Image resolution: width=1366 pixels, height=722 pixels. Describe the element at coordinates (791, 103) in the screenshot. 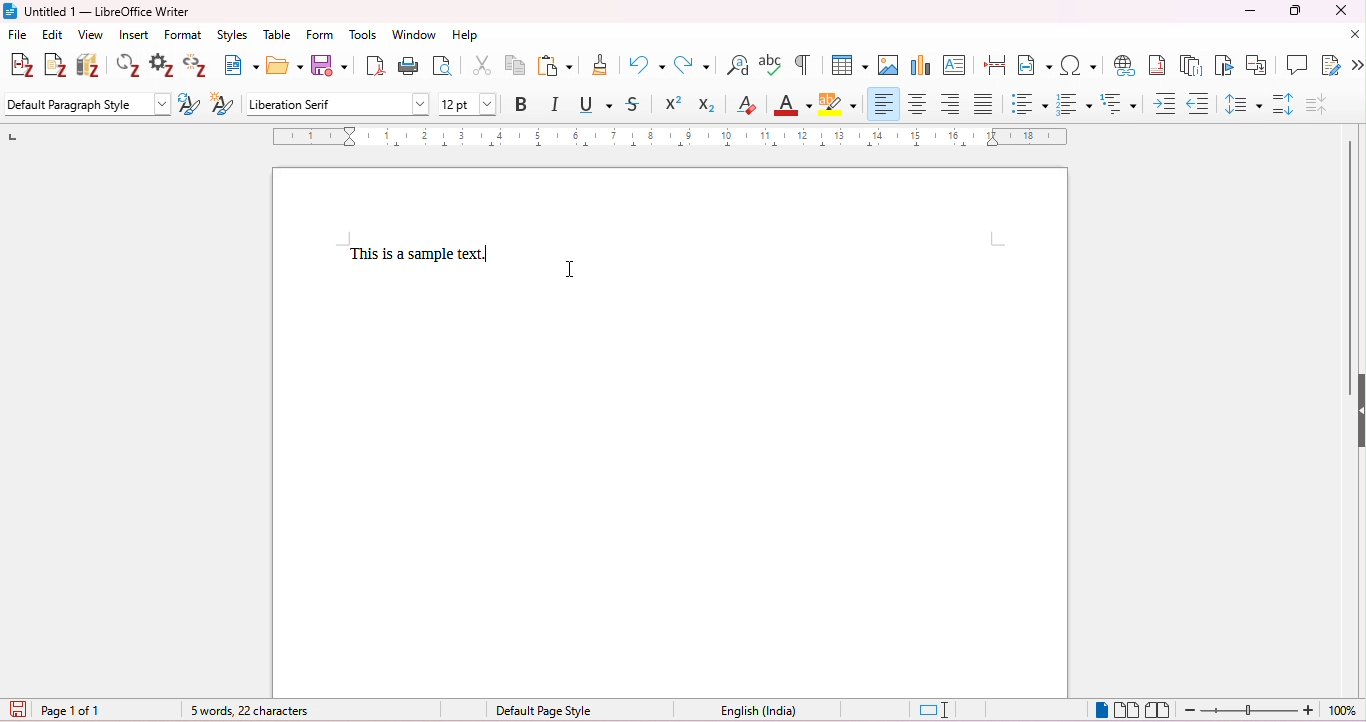

I see `font color` at that location.